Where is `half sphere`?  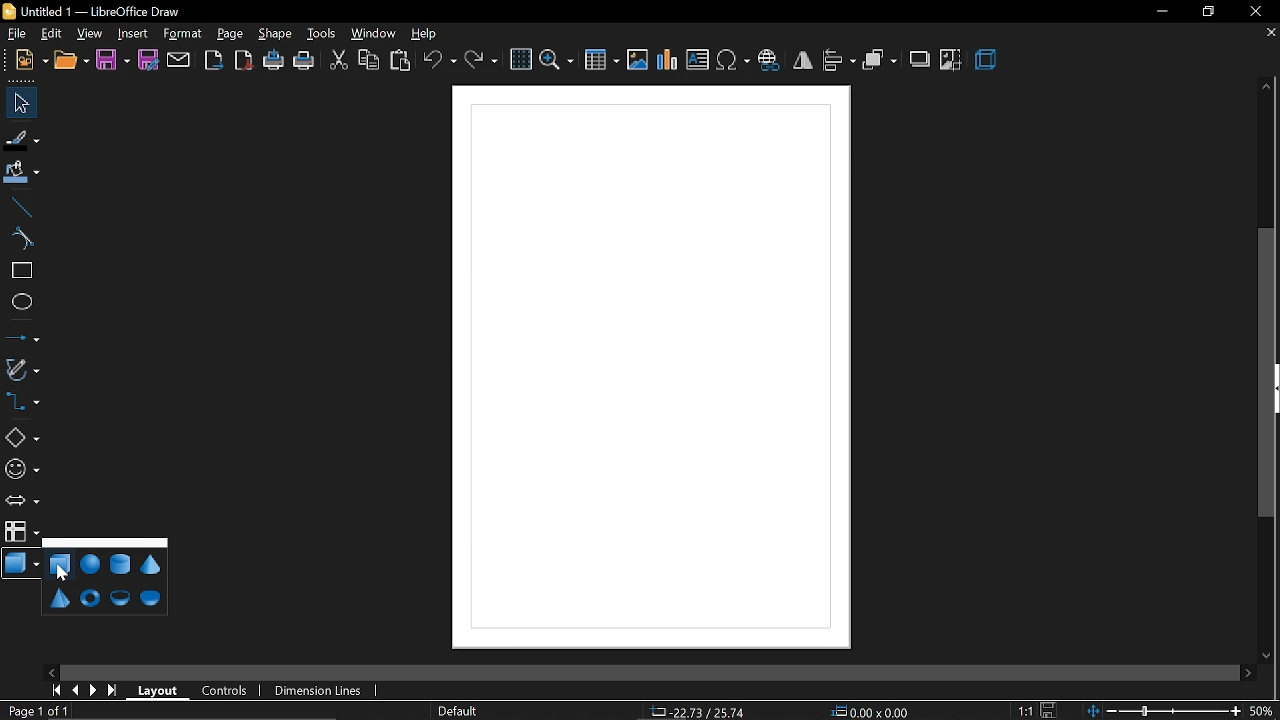
half sphere is located at coordinates (150, 600).